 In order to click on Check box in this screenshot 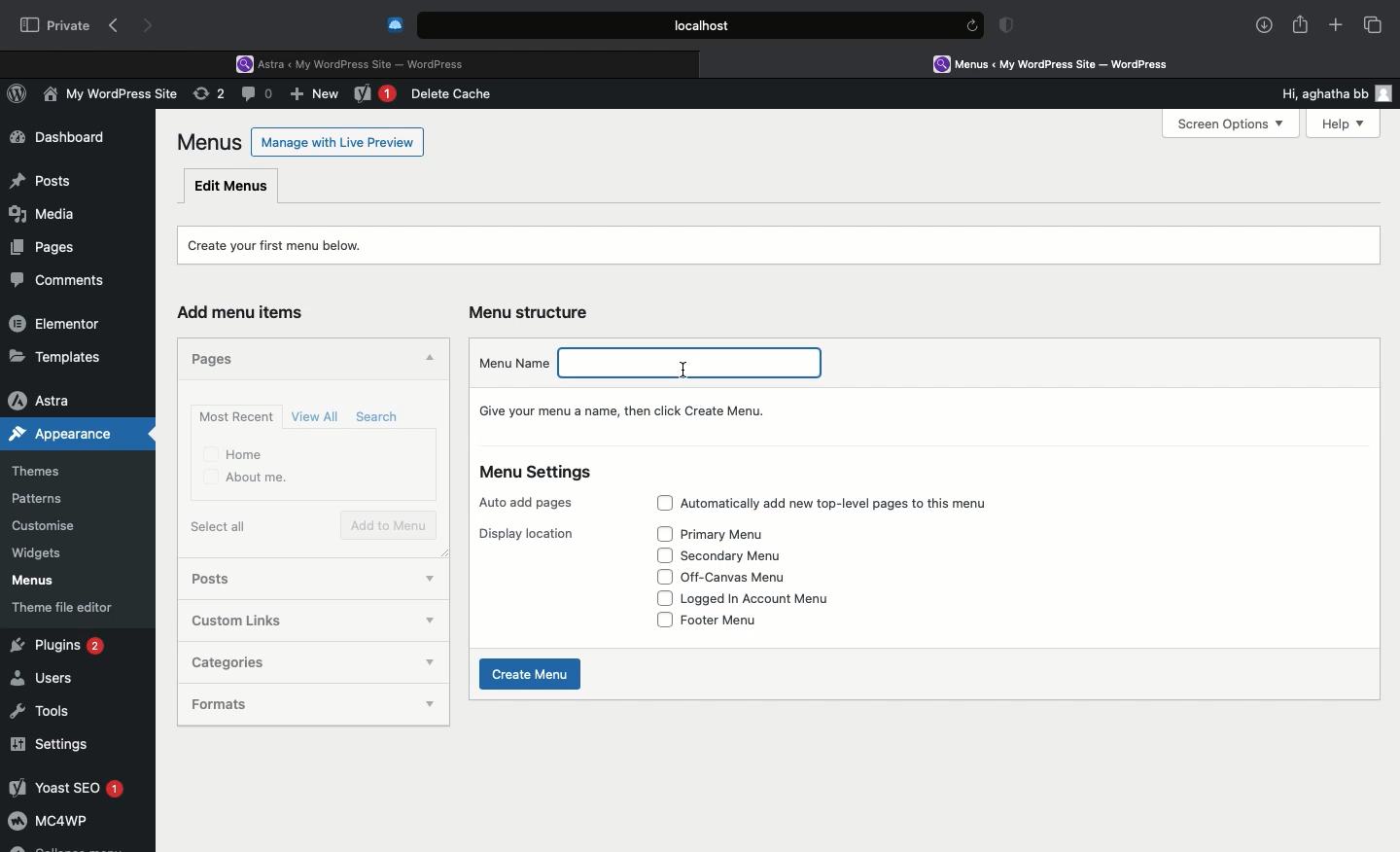, I will do `click(658, 503)`.